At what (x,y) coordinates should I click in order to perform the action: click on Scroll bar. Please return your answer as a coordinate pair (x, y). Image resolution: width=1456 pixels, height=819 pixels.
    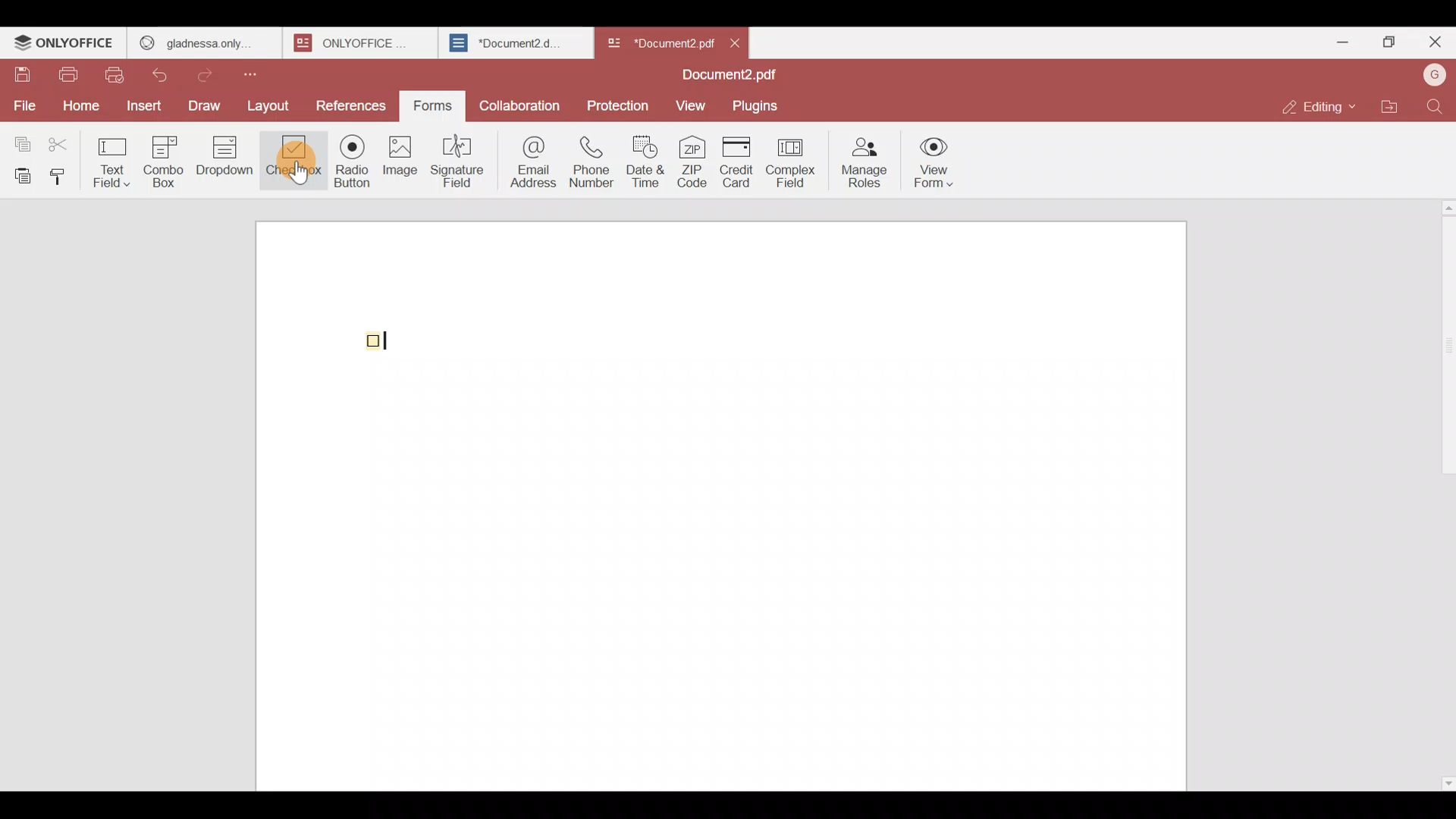
    Looking at the image, I should click on (1443, 491).